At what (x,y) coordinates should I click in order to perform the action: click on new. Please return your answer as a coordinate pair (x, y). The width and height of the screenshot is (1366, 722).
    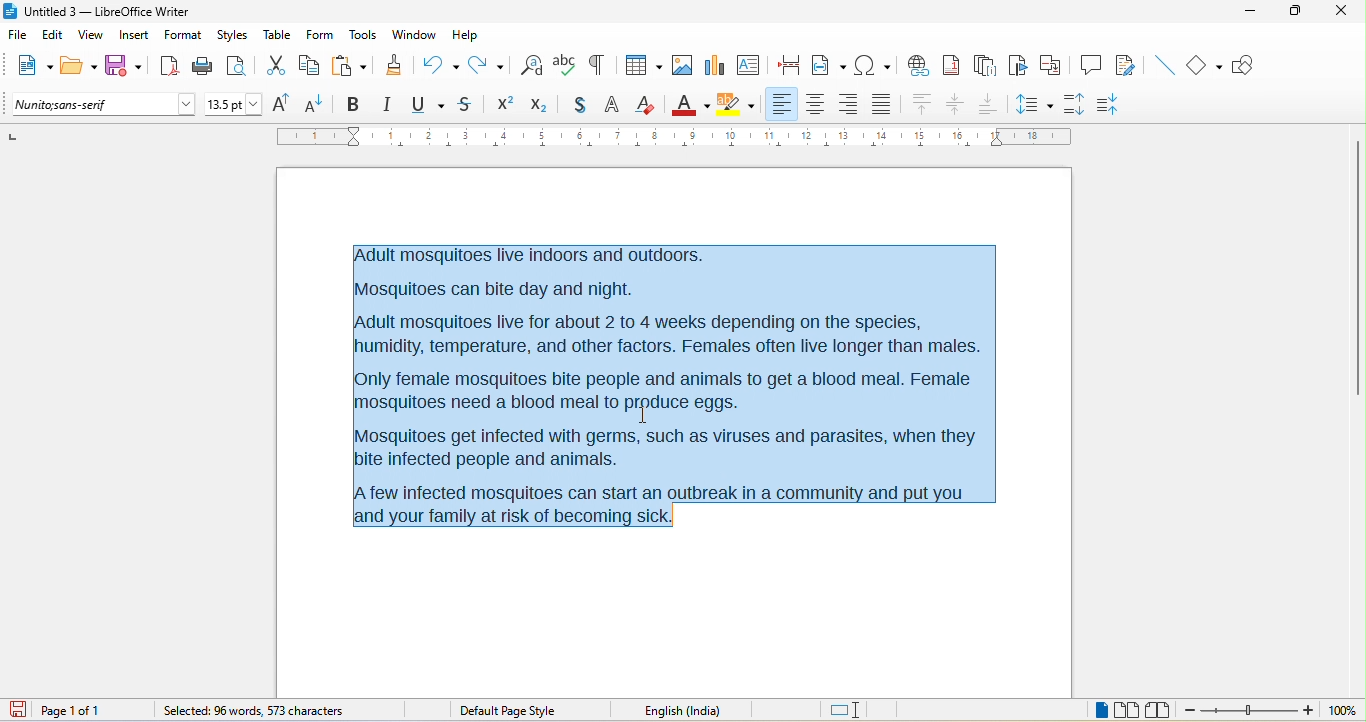
    Looking at the image, I should click on (31, 68).